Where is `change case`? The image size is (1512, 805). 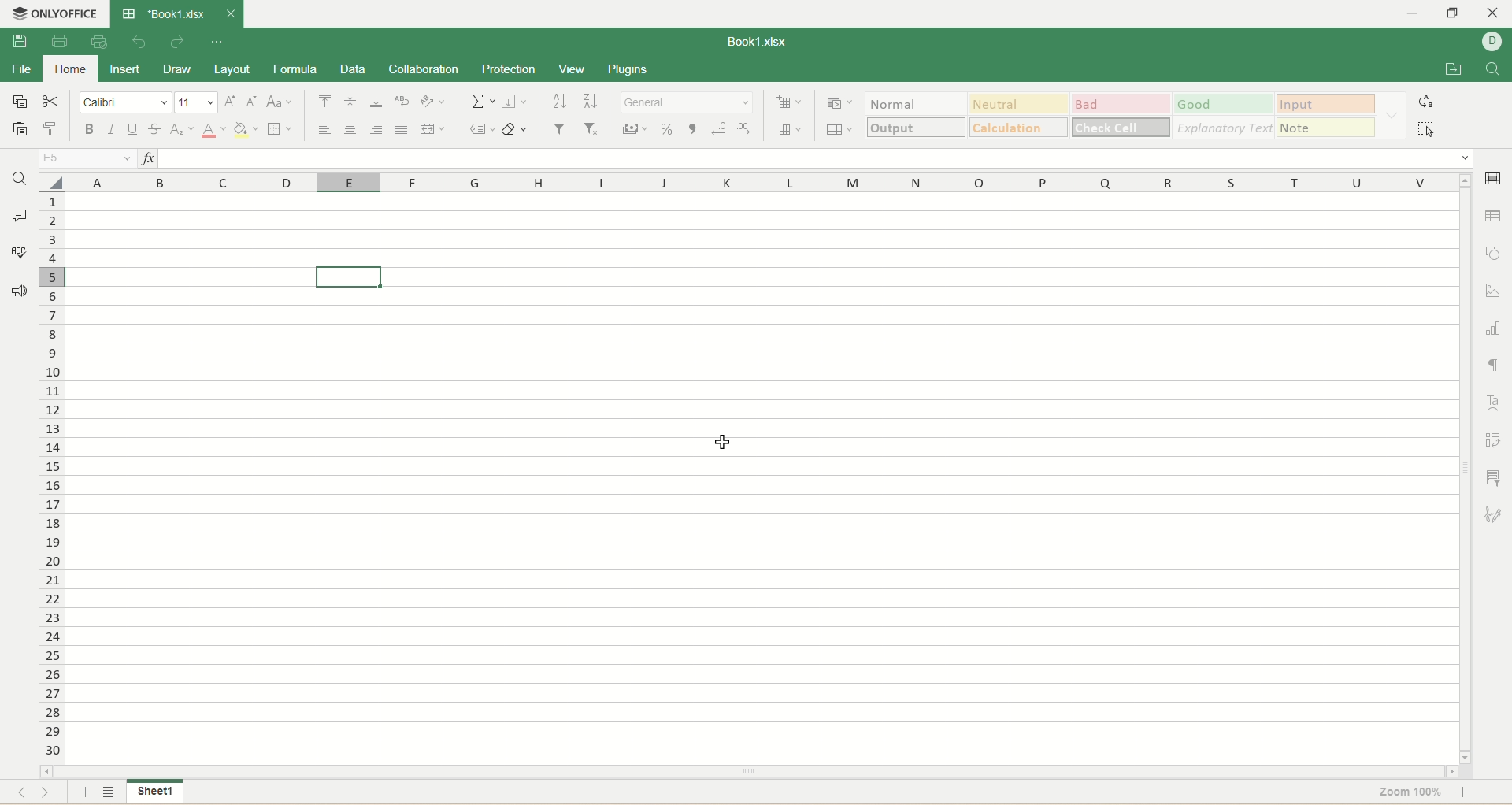
change case is located at coordinates (280, 102).